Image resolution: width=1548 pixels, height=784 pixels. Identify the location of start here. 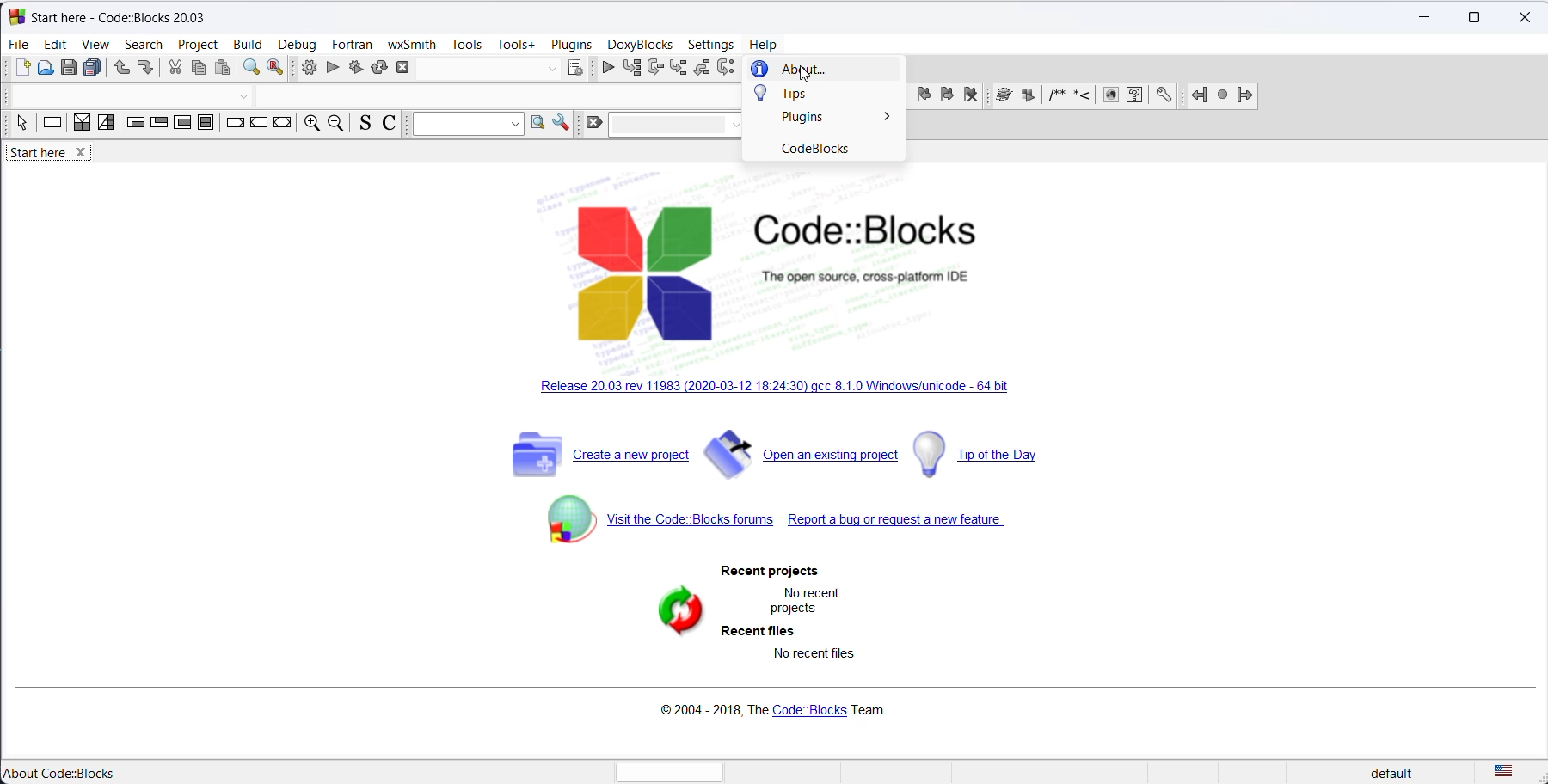
(123, 16).